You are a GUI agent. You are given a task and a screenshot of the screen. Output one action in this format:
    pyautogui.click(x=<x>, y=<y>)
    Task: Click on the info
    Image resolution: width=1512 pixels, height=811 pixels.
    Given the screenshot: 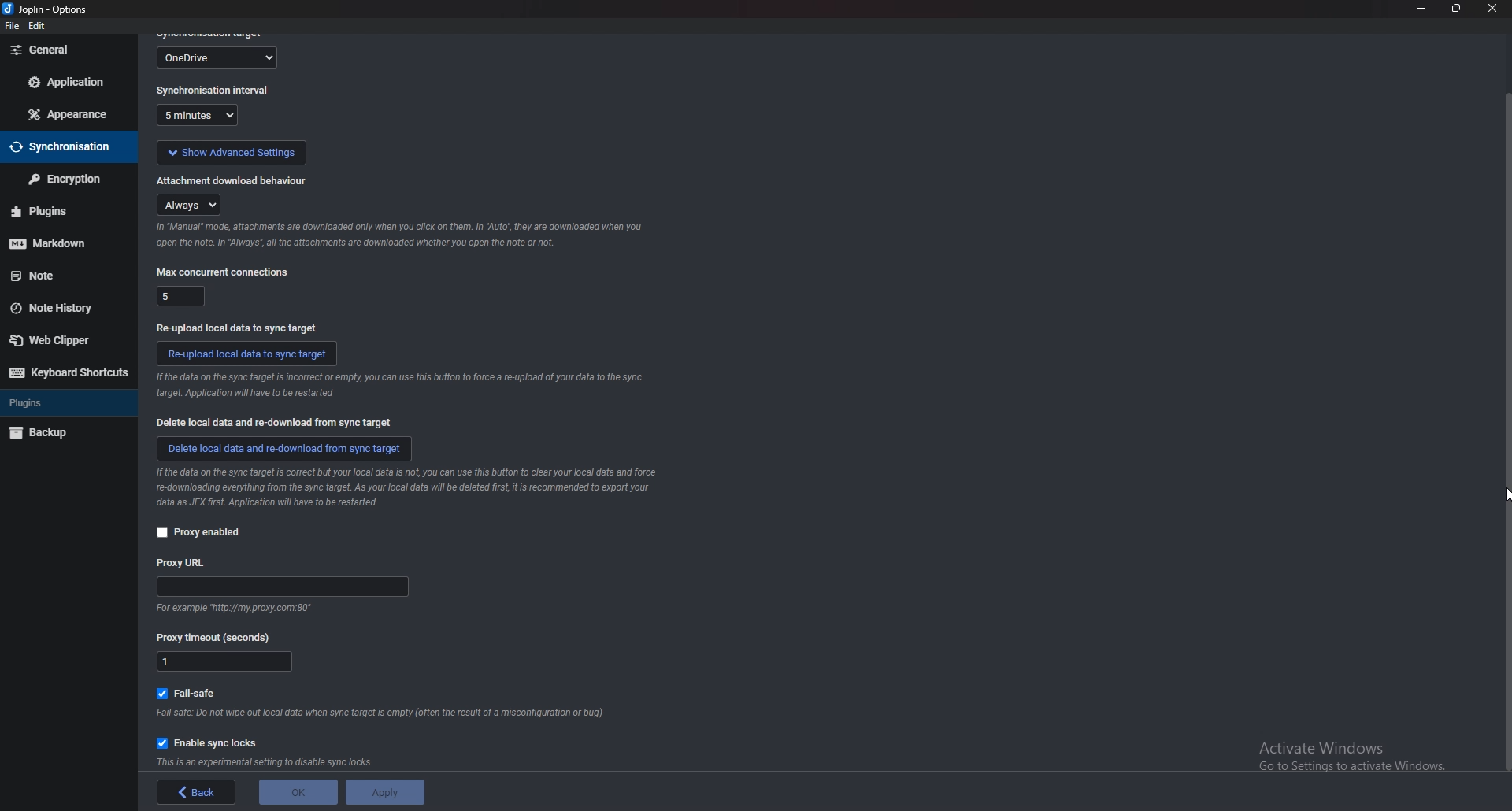 What is the action you would take?
    pyautogui.click(x=398, y=235)
    